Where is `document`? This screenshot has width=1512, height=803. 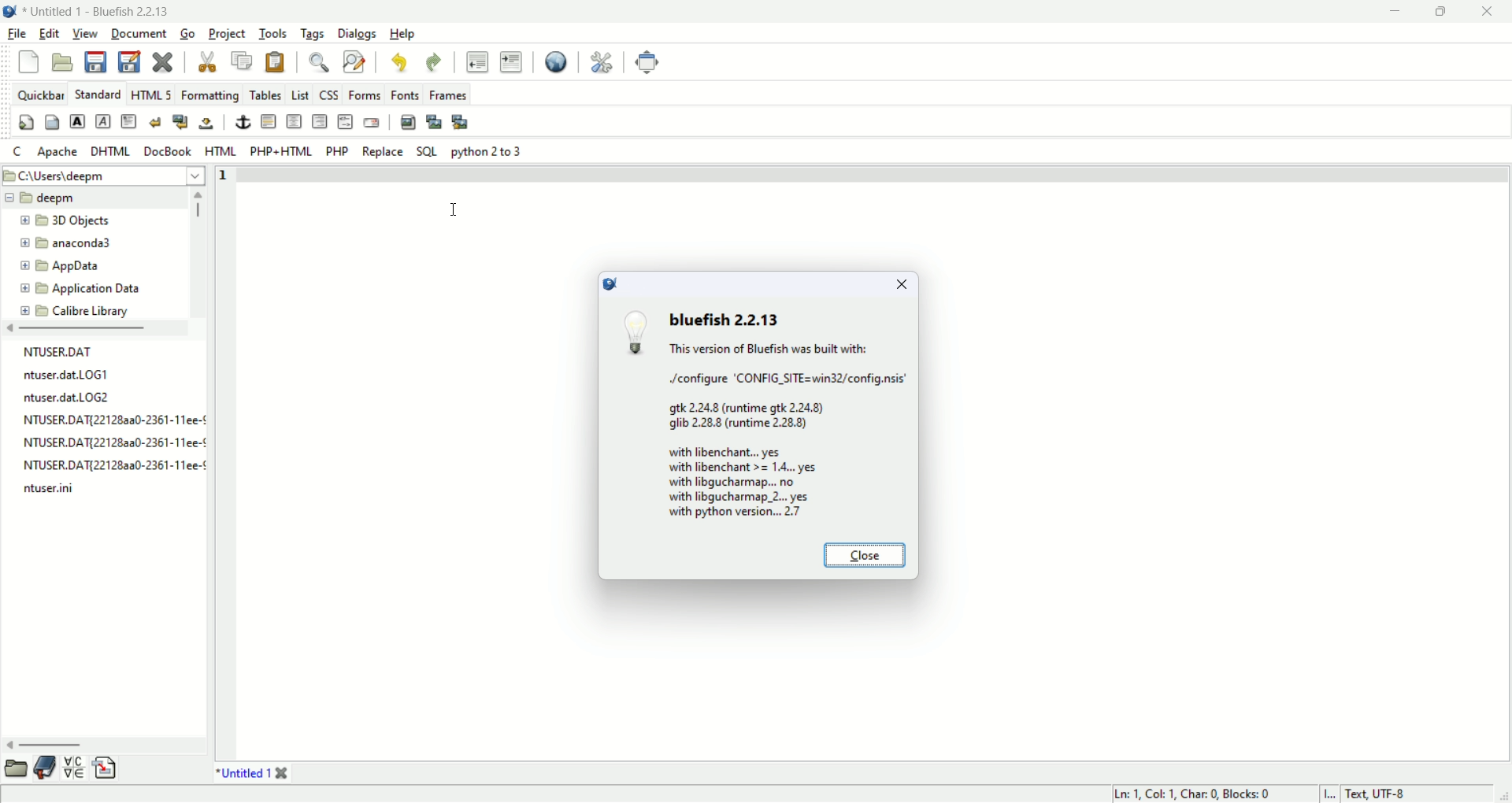
document is located at coordinates (139, 35).